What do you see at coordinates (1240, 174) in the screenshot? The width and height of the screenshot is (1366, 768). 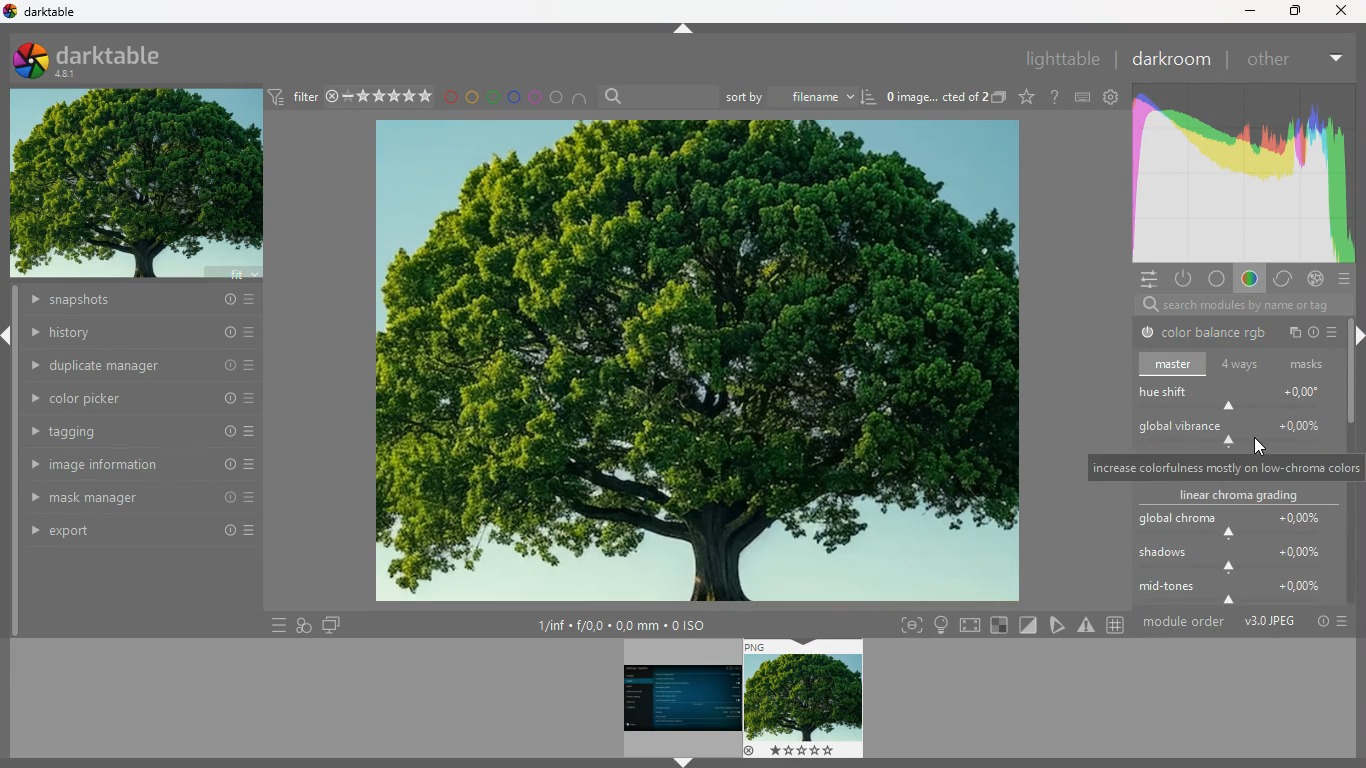 I see `gradient` at bounding box center [1240, 174].